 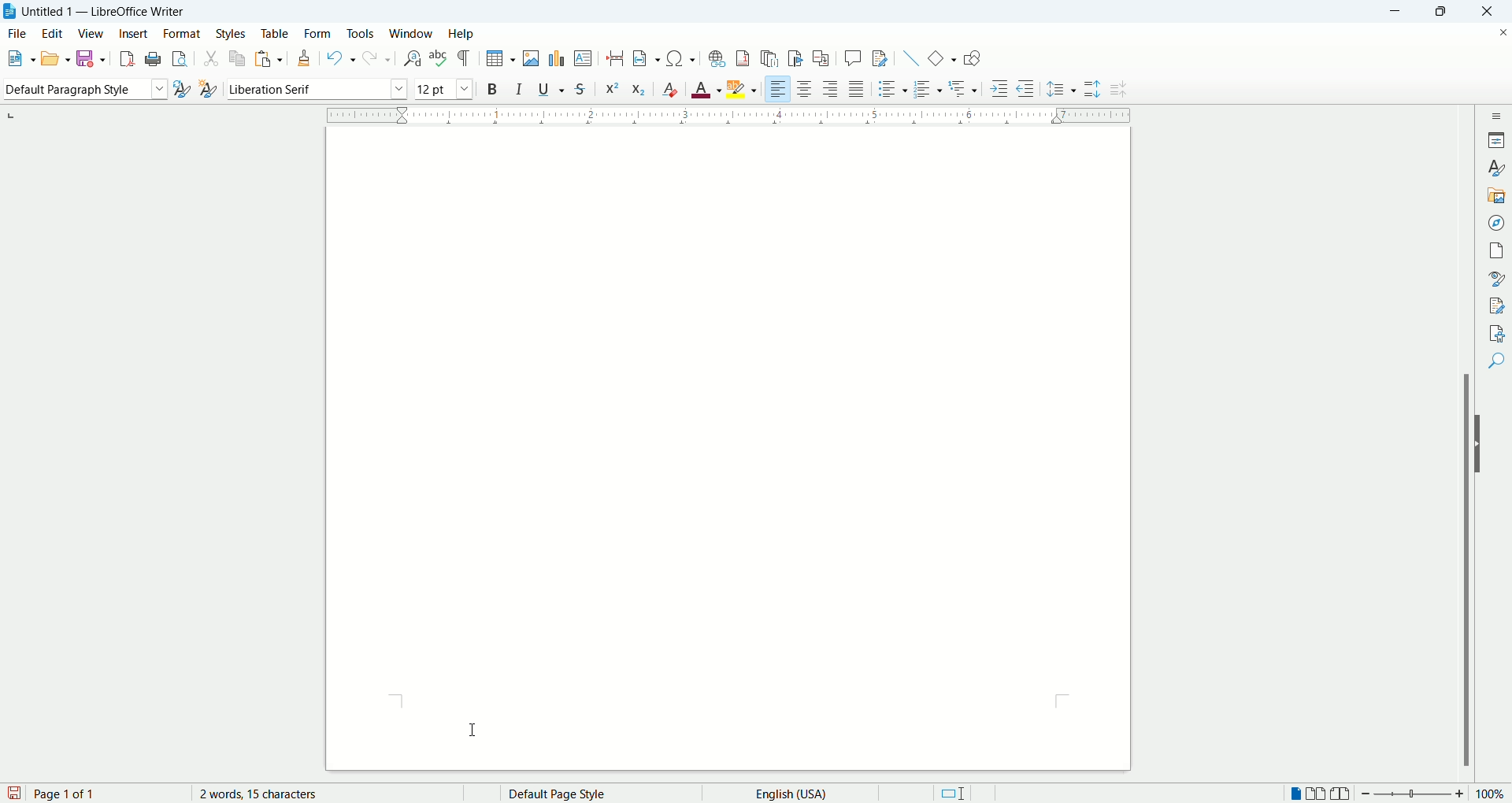 What do you see at coordinates (1499, 248) in the screenshot?
I see `page` at bounding box center [1499, 248].